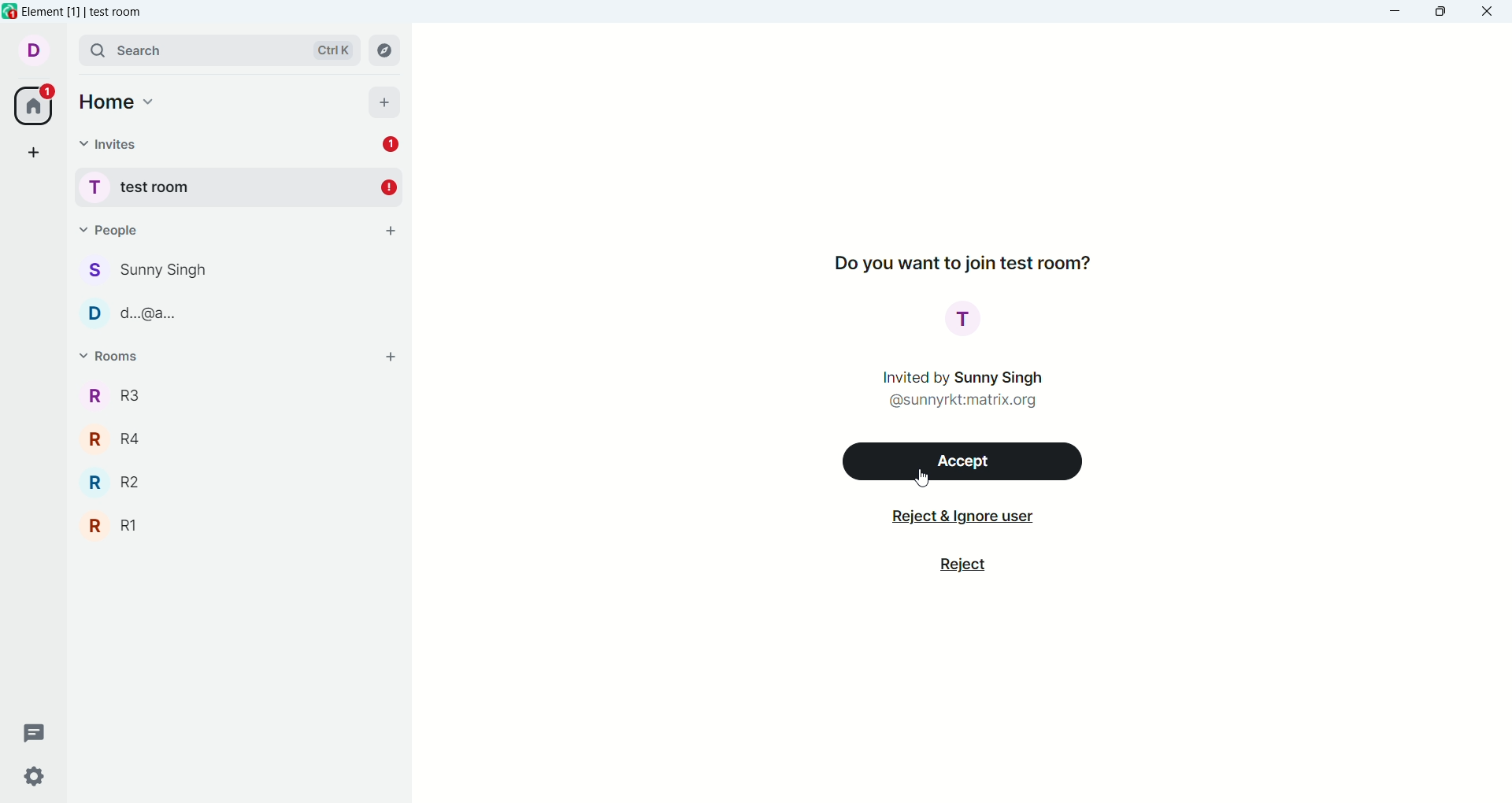 This screenshot has height=803, width=1512. Describe the element at coordinates (1398, 12) in the screenshot. I see `minimize` at that location.